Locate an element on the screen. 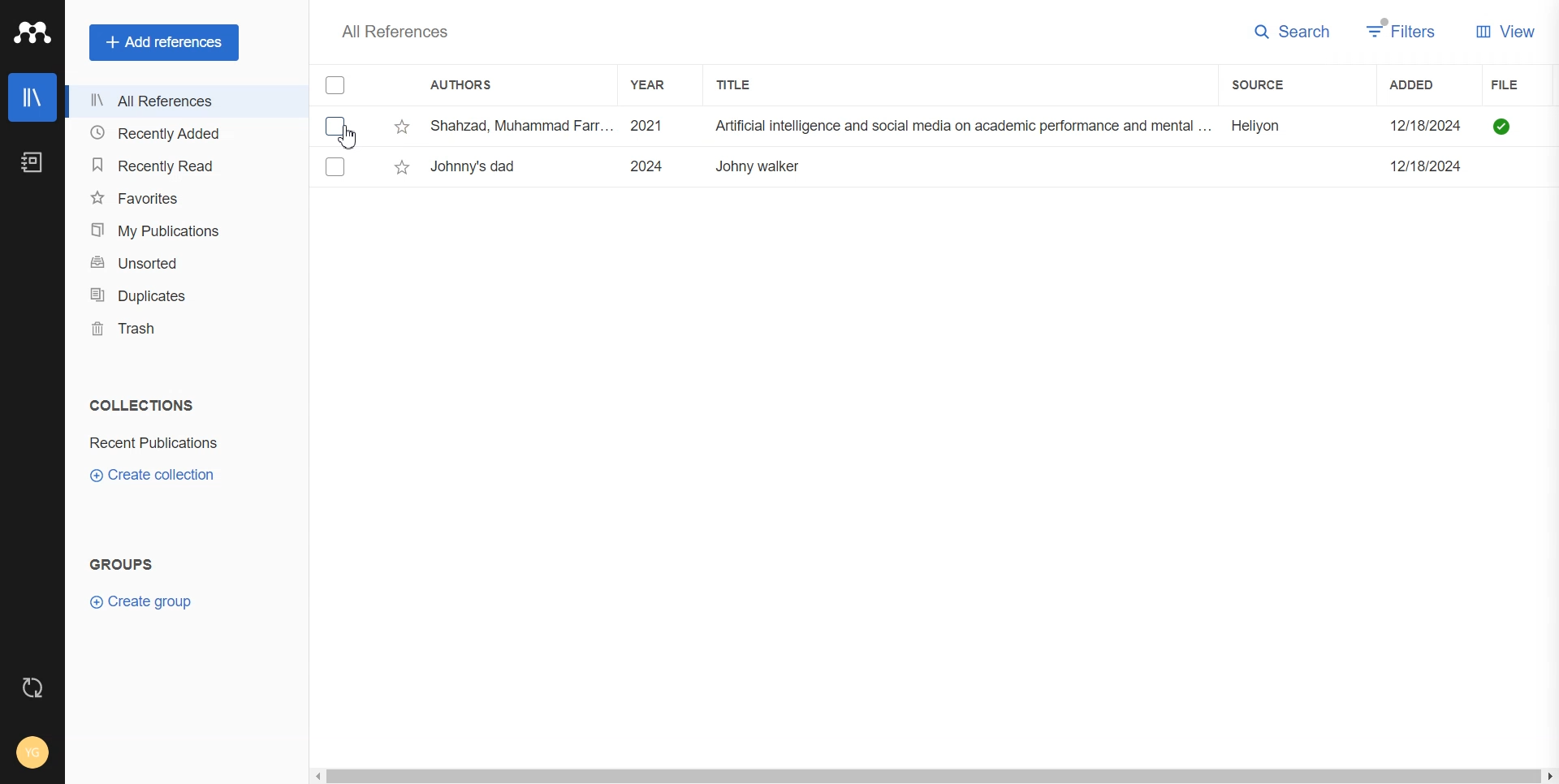 The image size is (1559, 784). File is located at coordinates (1524, 85).